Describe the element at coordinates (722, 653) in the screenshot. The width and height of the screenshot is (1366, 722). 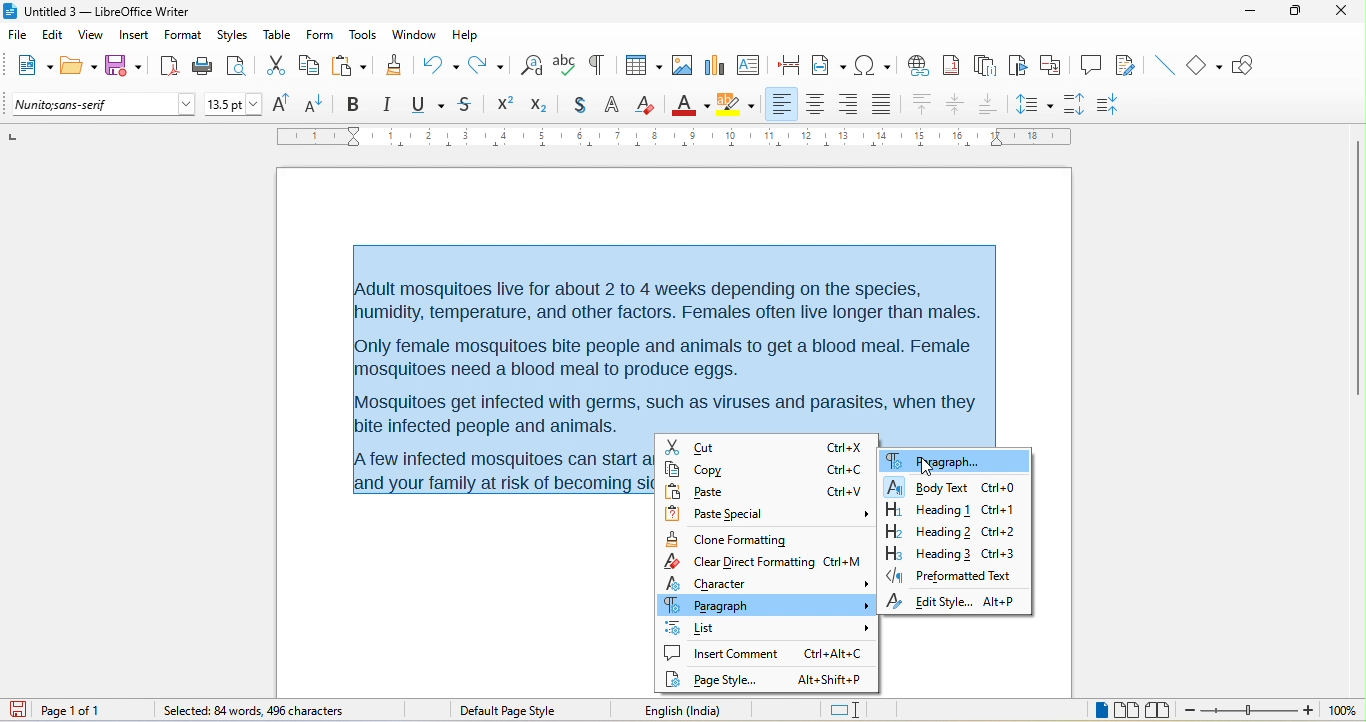
I see `insert comment` at that location.